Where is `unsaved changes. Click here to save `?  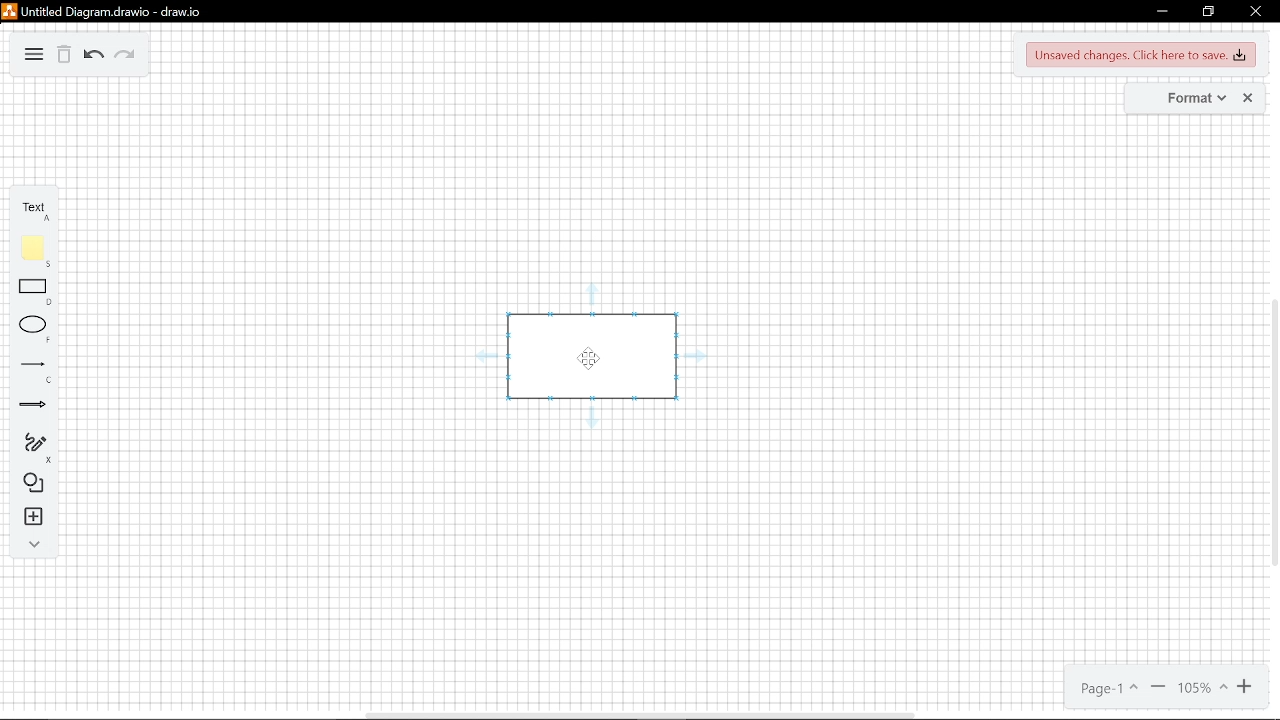 unsaved changes. Click here to save  is located at coordinates (1138, 56).